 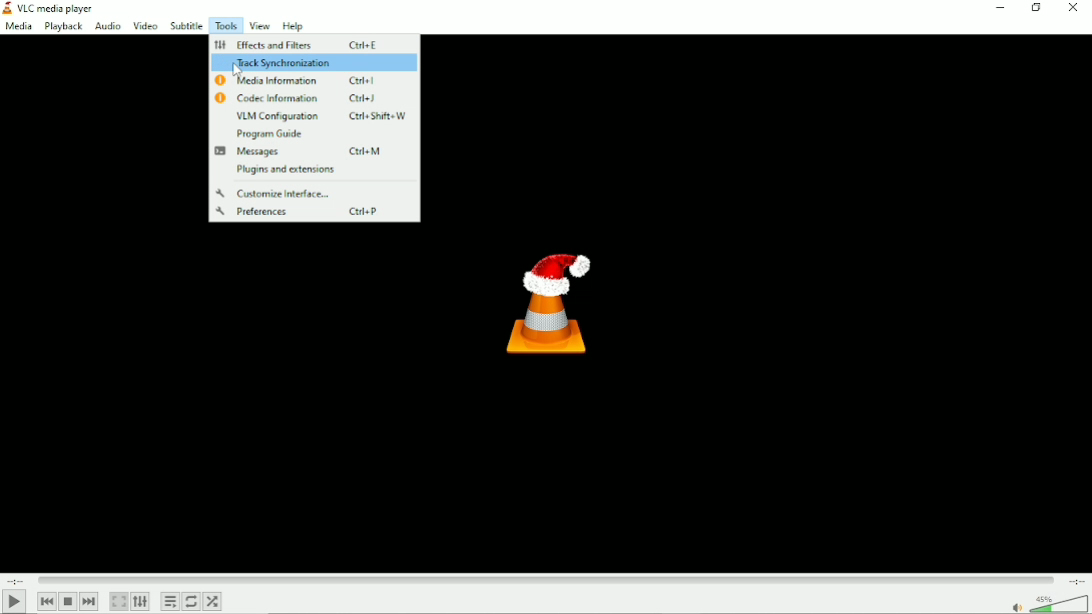 I want to click on Video, so click(x=143, y=24).